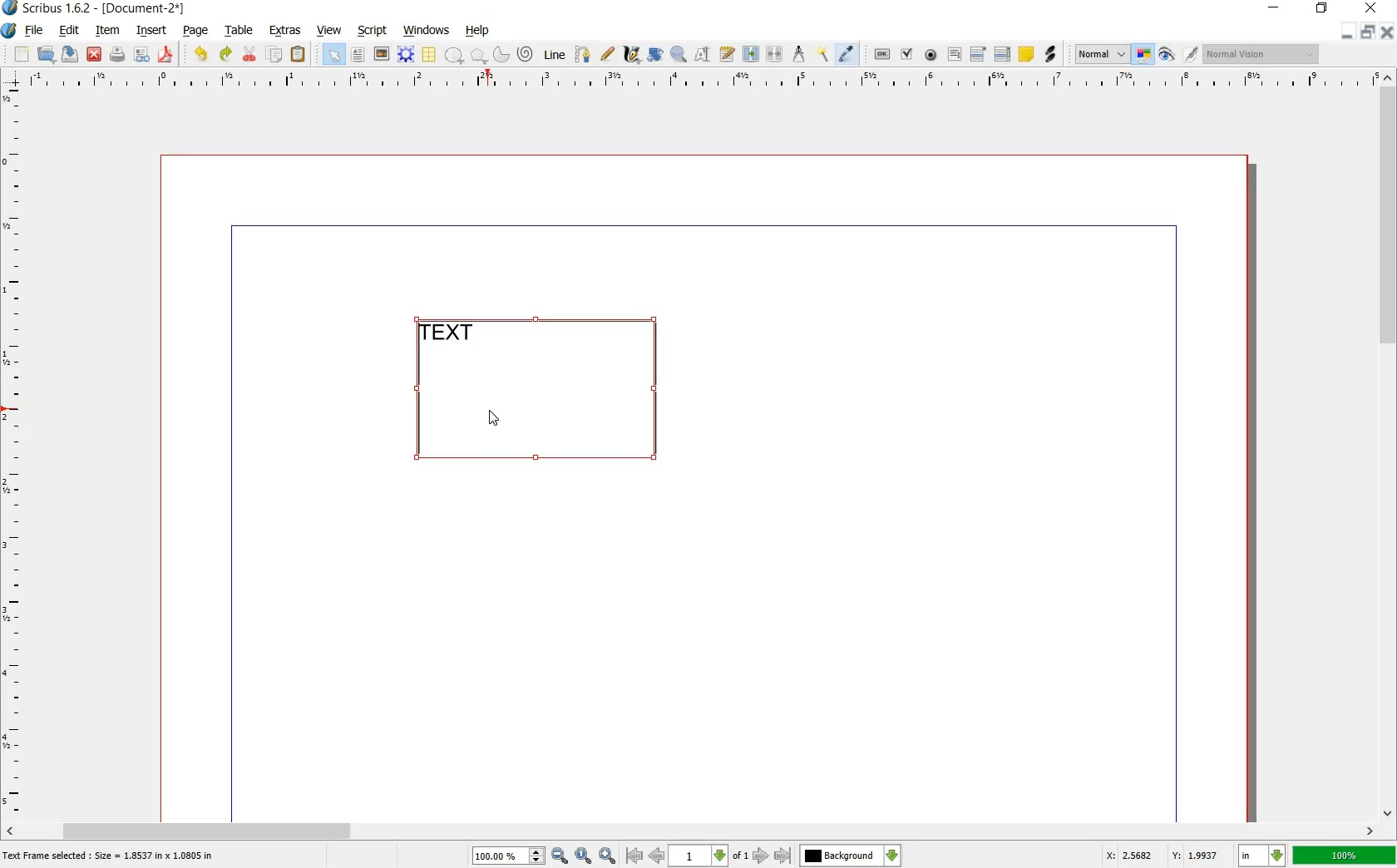  Describe the element at coordinates (1389, 446) in the screenshot. I see `scroll bar` at that location.